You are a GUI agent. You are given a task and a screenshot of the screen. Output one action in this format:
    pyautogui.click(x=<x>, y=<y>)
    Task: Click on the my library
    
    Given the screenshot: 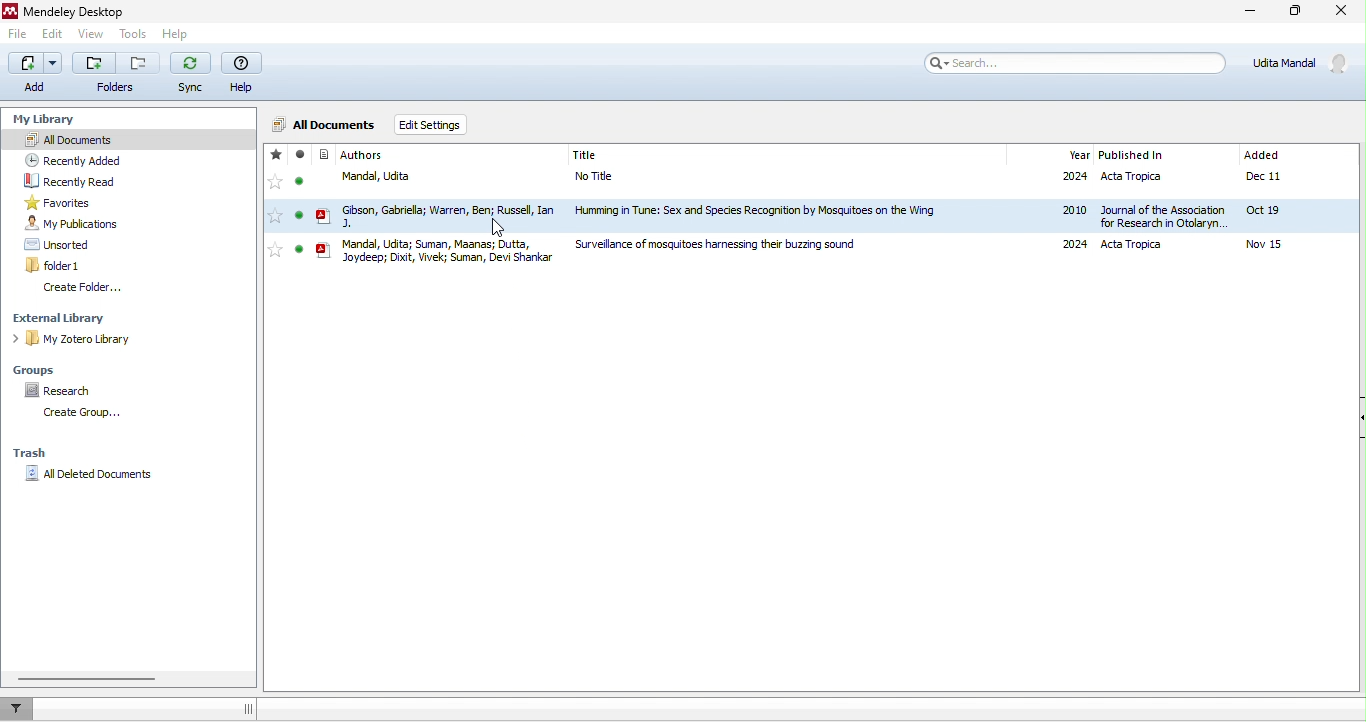 What is the action you would take?
    pyautogui.click(x=58, y=121)
    